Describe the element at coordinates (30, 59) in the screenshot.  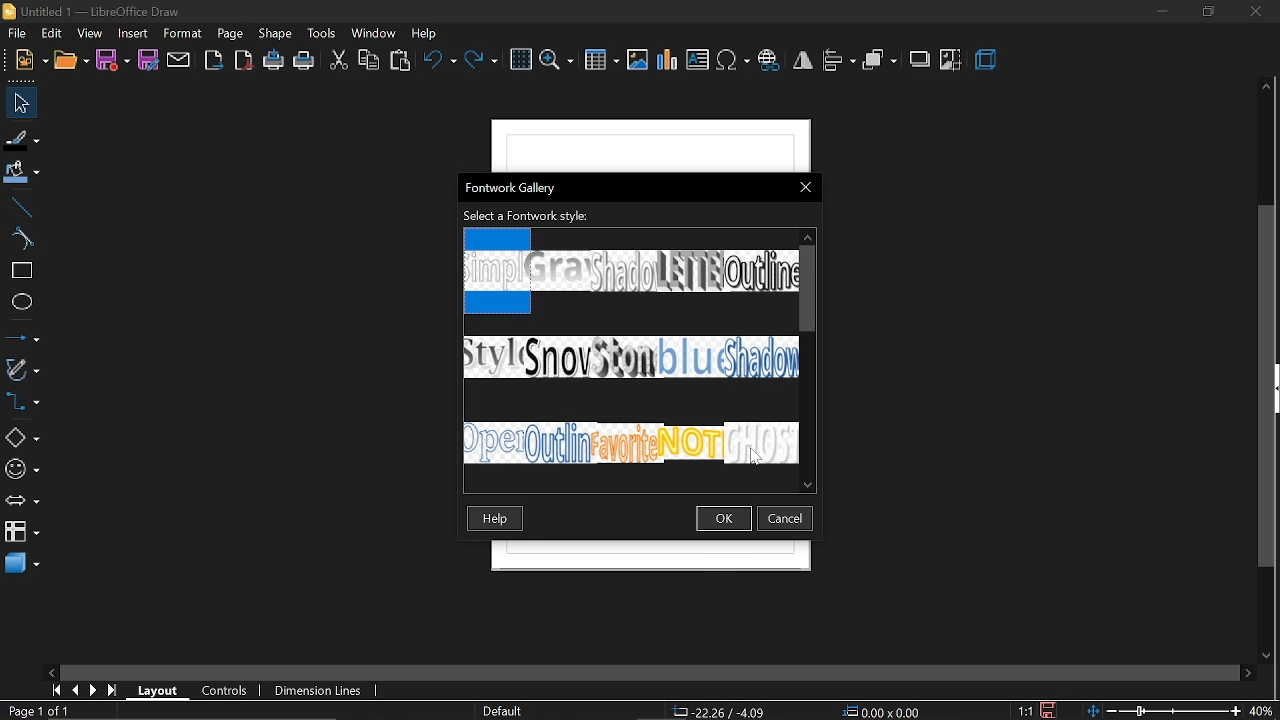
I see `new ` at that location.